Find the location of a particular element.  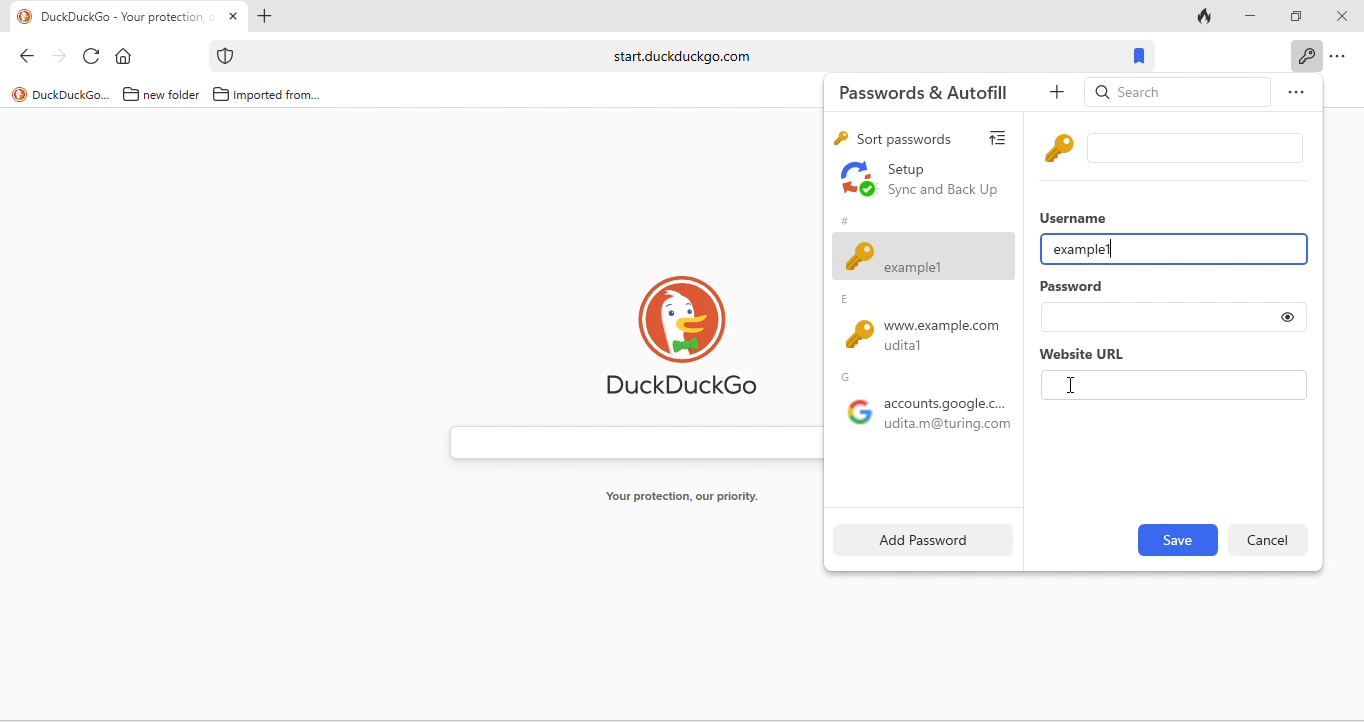

bookmarks is located at coordinates (1141, 58).